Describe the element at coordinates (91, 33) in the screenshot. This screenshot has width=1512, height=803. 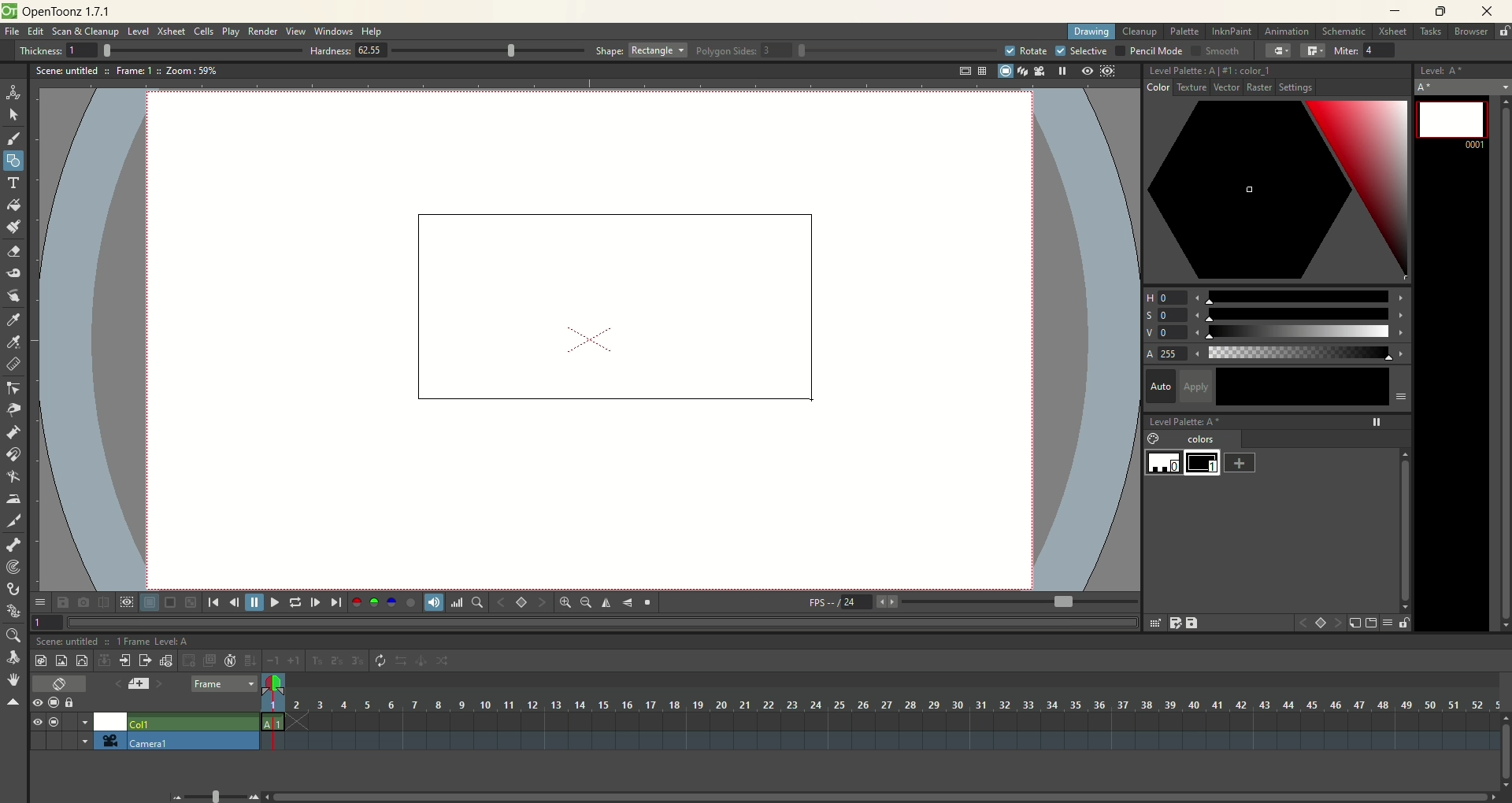
I see `scan & cleanup` at that location.